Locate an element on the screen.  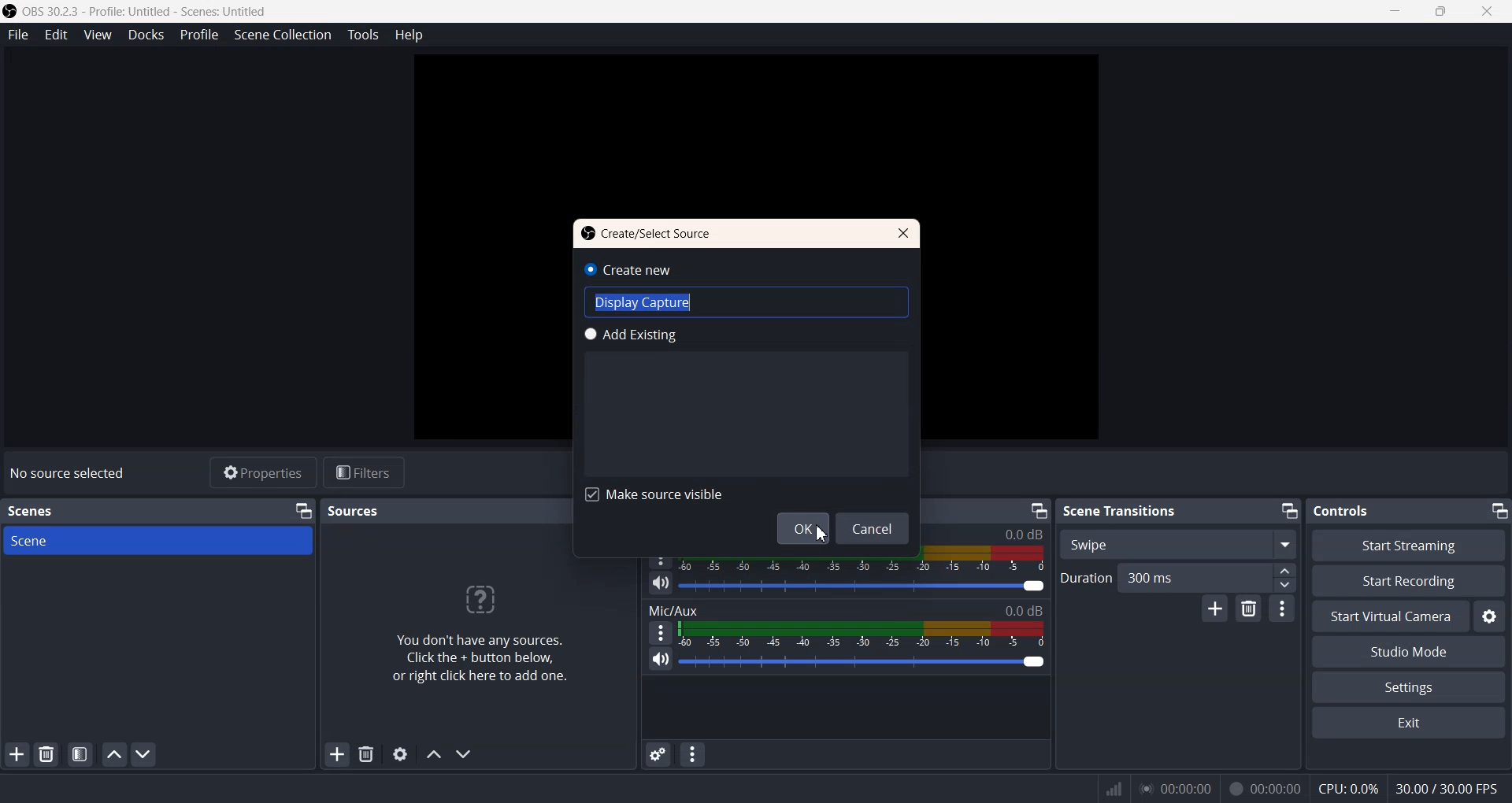
Scenes is located at coordinates (39, 510).